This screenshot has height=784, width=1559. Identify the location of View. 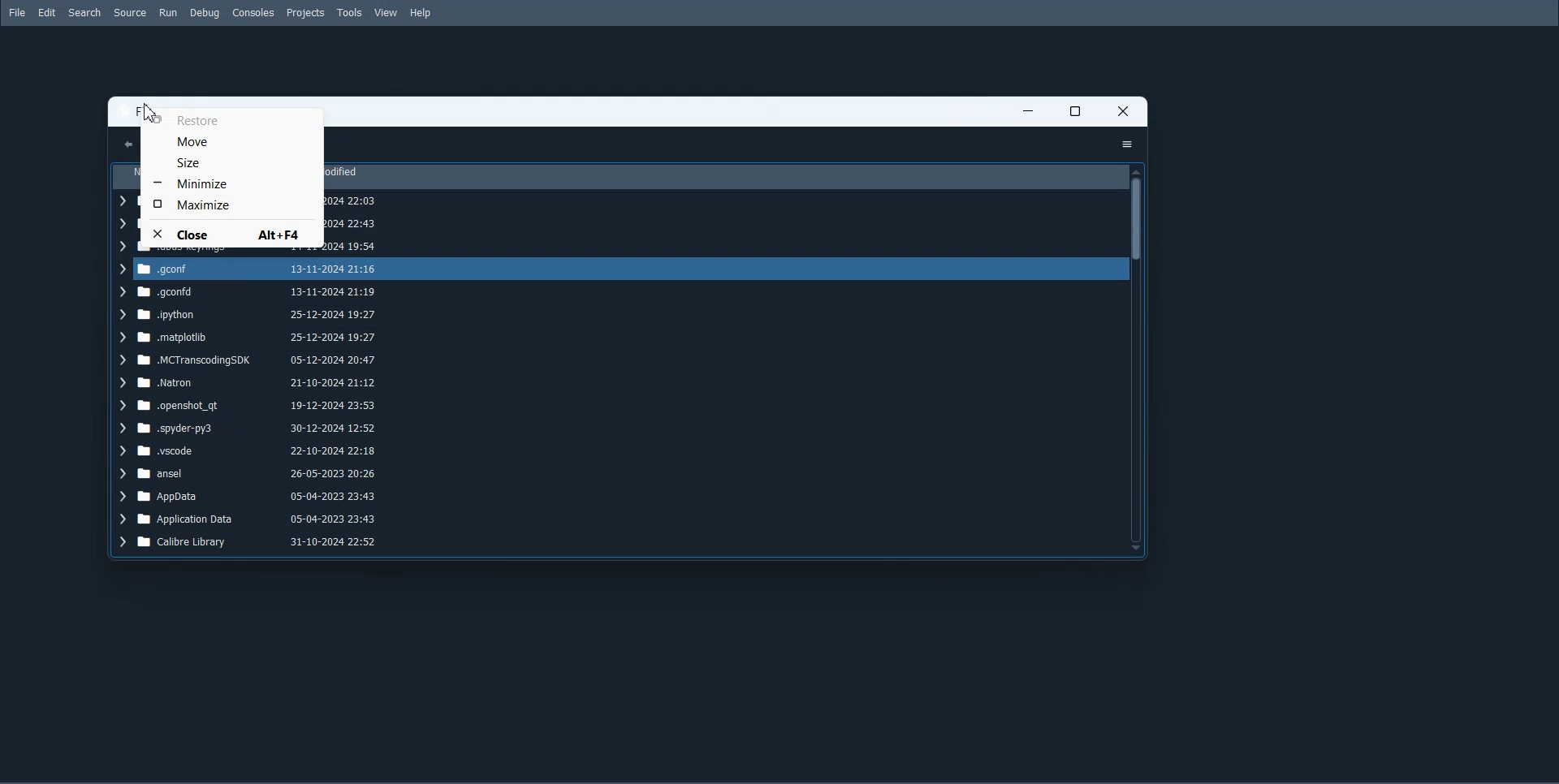
(386, 13).